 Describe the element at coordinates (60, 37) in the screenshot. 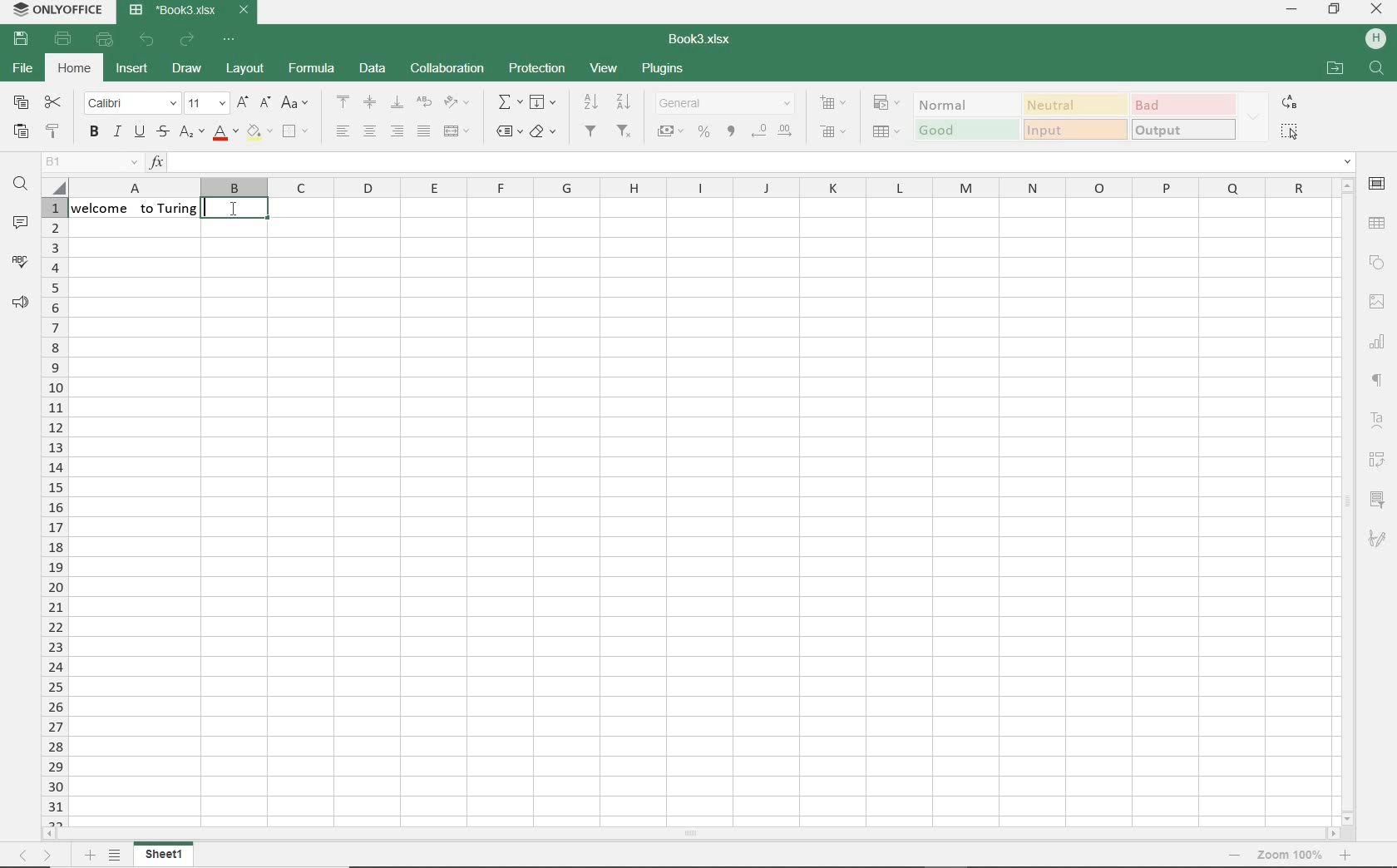

I see `print` at that location.